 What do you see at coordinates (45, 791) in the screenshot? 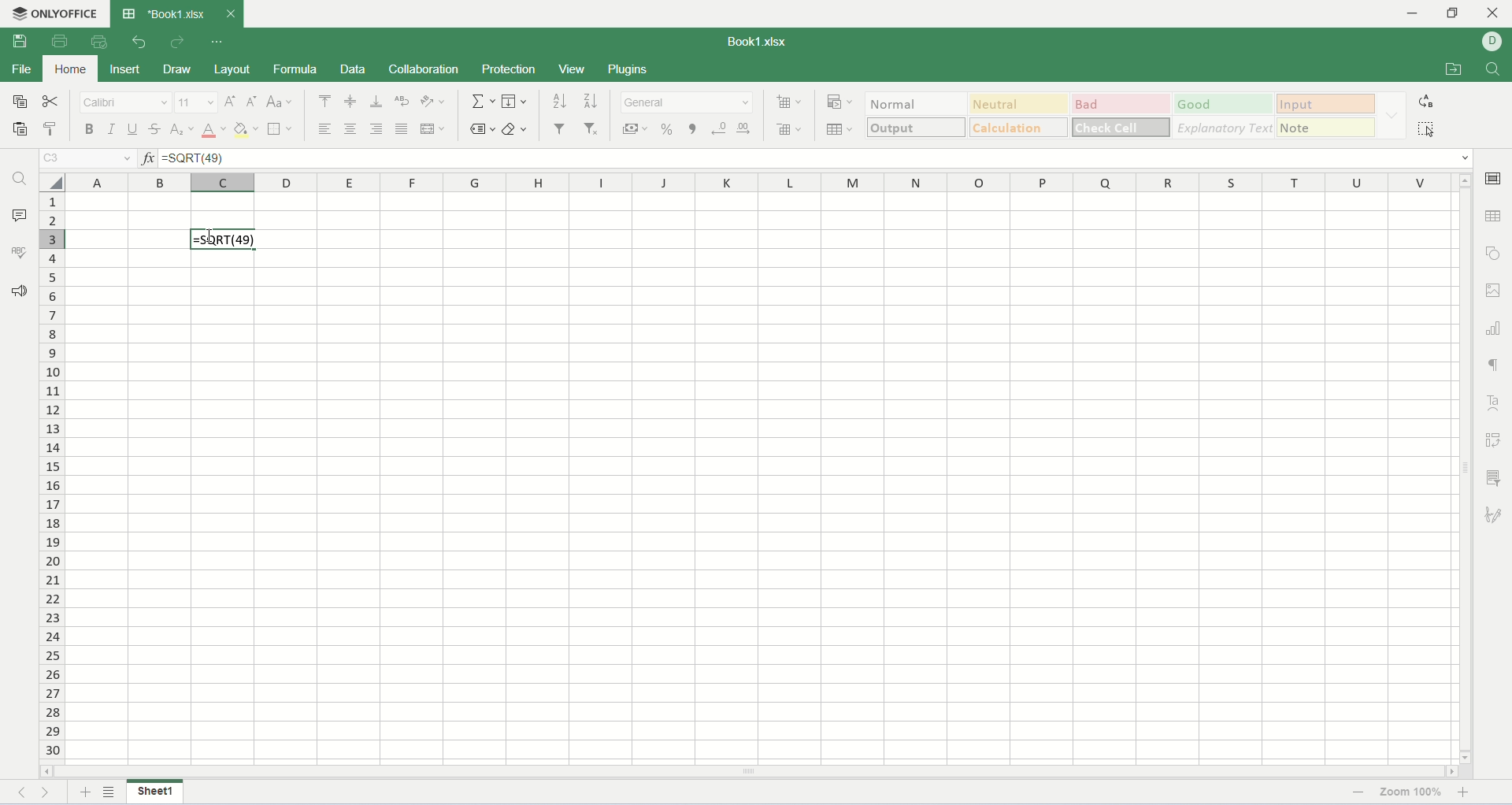
I see `next` at bounding box center [45, 791].